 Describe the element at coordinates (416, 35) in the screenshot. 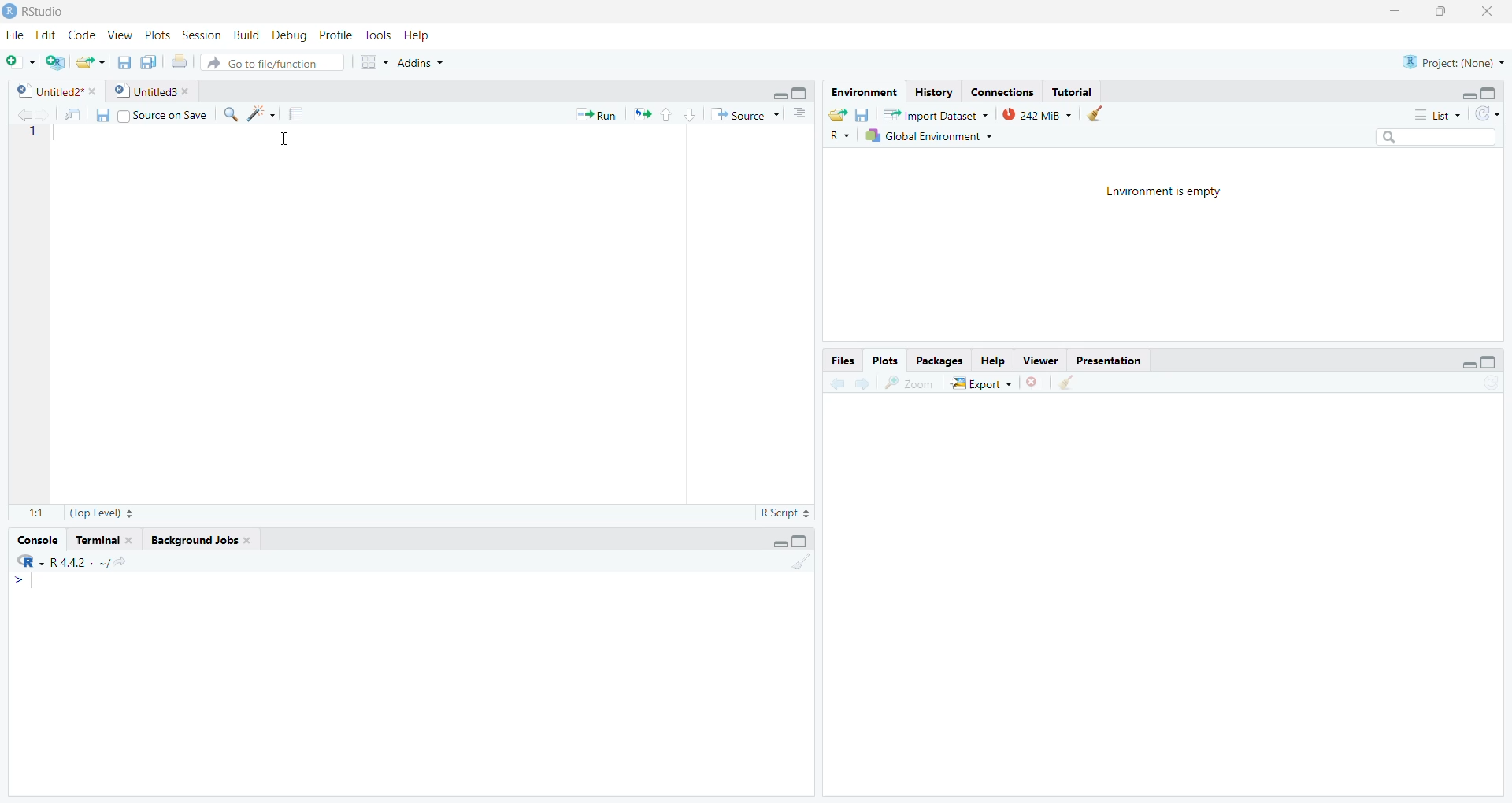

I see `Help` at that location.